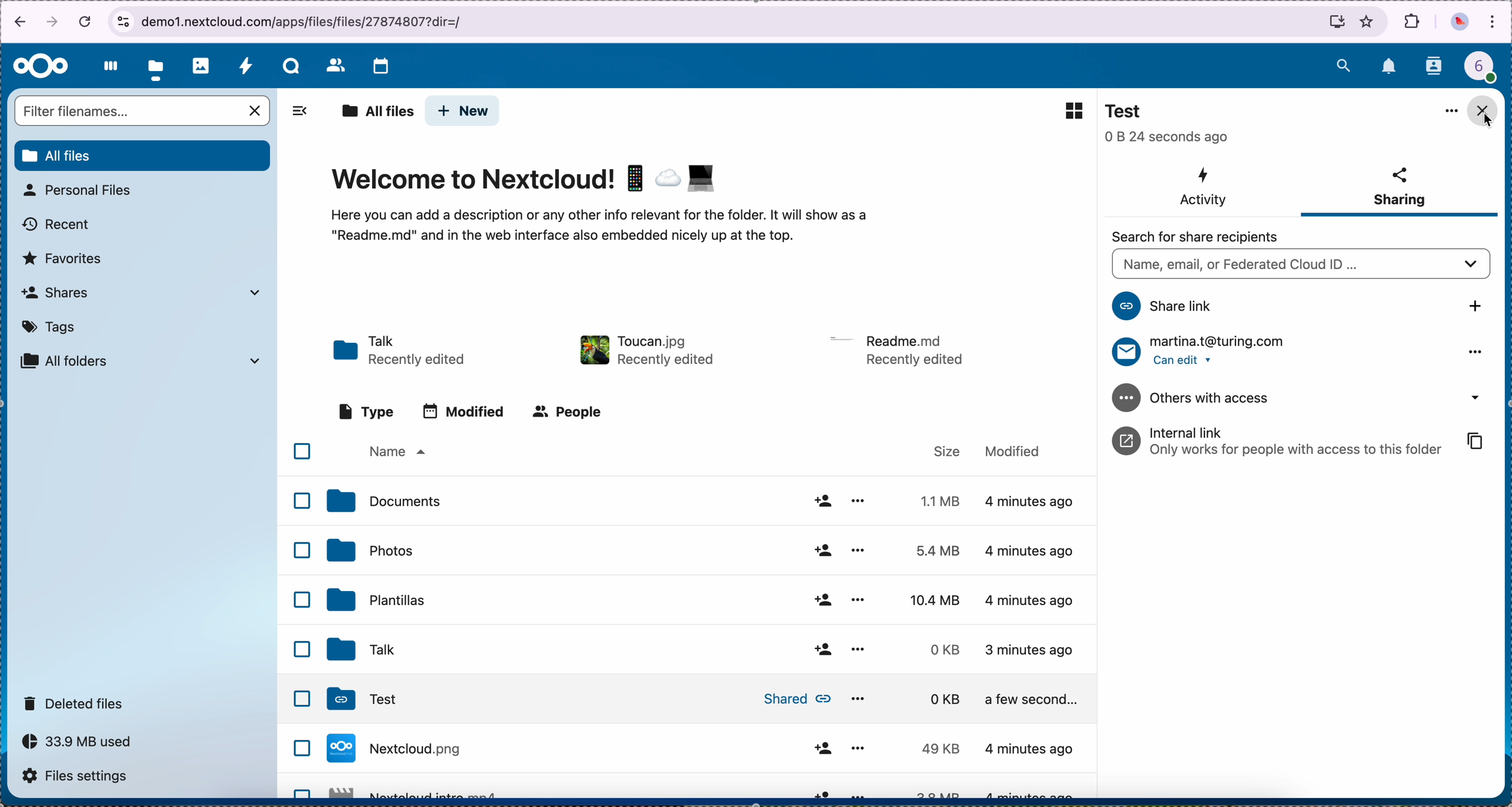  Describe the element at coordinates (1167, 137) in the screenshot. I see `seconds` at that location.